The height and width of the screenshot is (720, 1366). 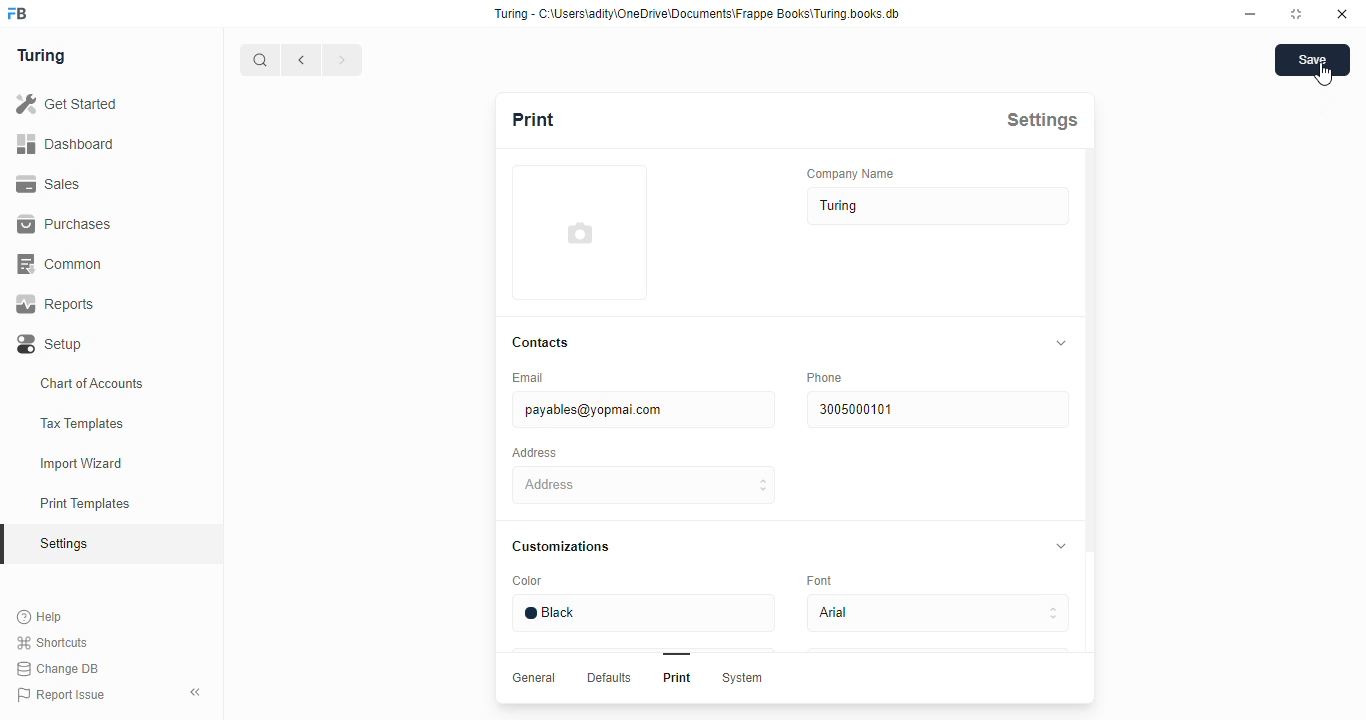 I want to click on Settings
oy, so click(x=98, y=546).